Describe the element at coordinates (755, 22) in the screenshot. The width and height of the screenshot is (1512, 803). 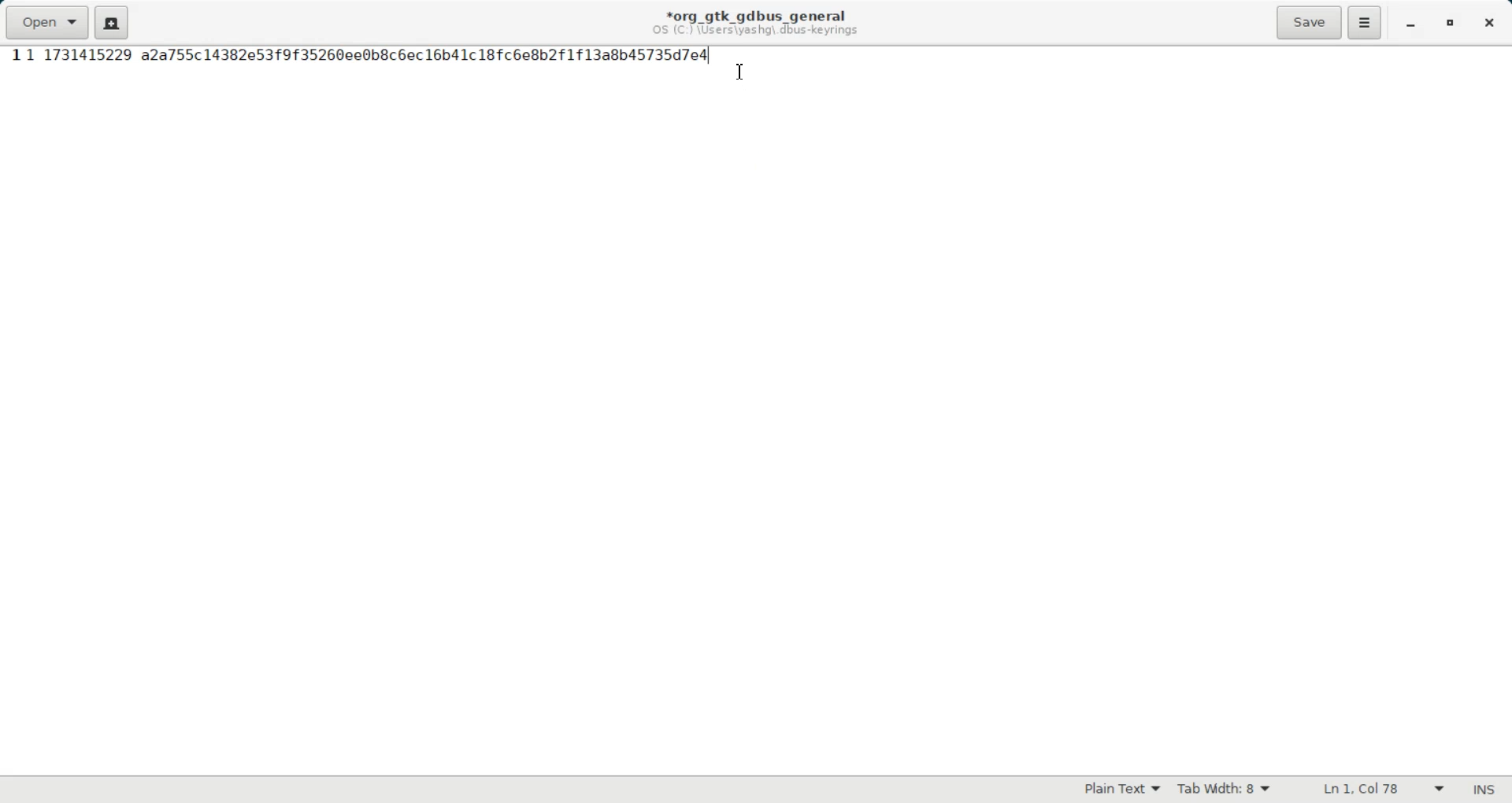
I see `Text information ` at that location.